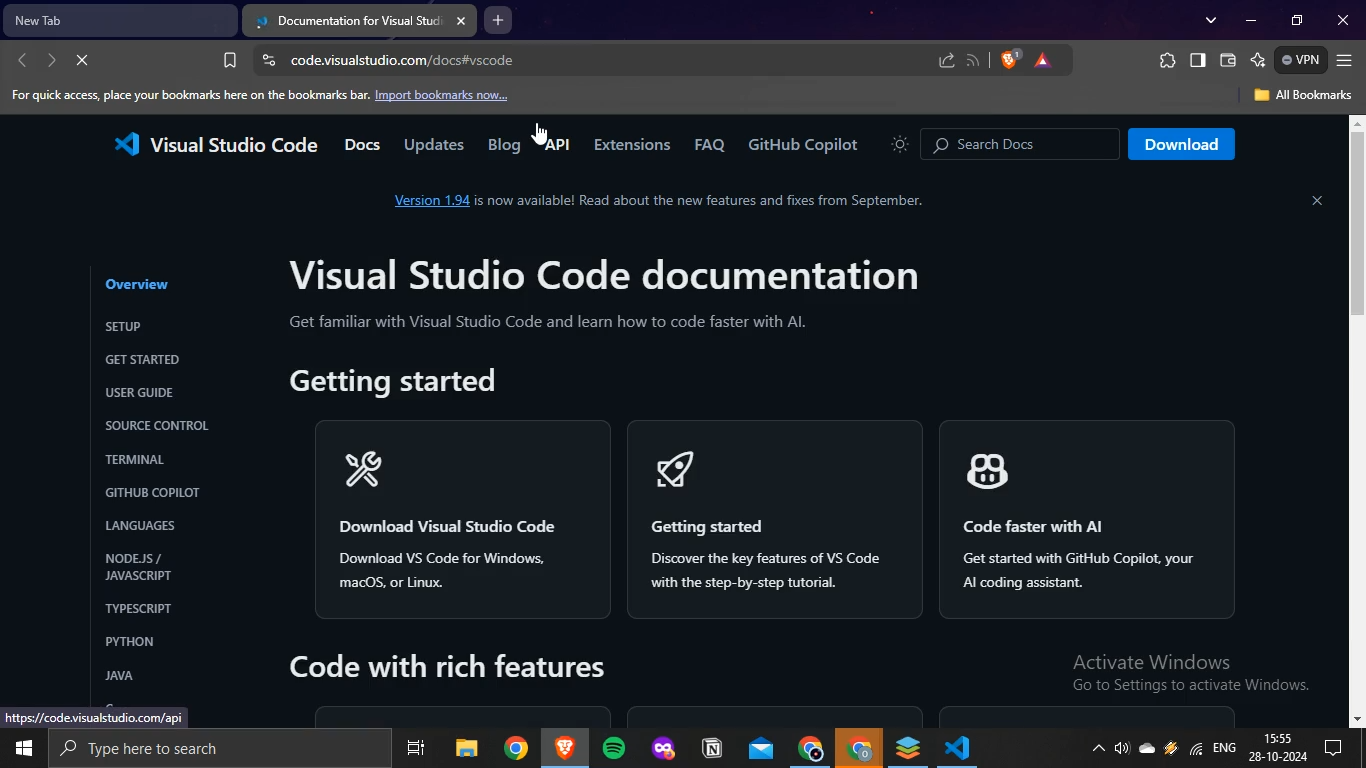  What do you see at coordinates (803, 146) in the screenshot?
I see `GitHub Copilot` at bounding box center [803, 146].